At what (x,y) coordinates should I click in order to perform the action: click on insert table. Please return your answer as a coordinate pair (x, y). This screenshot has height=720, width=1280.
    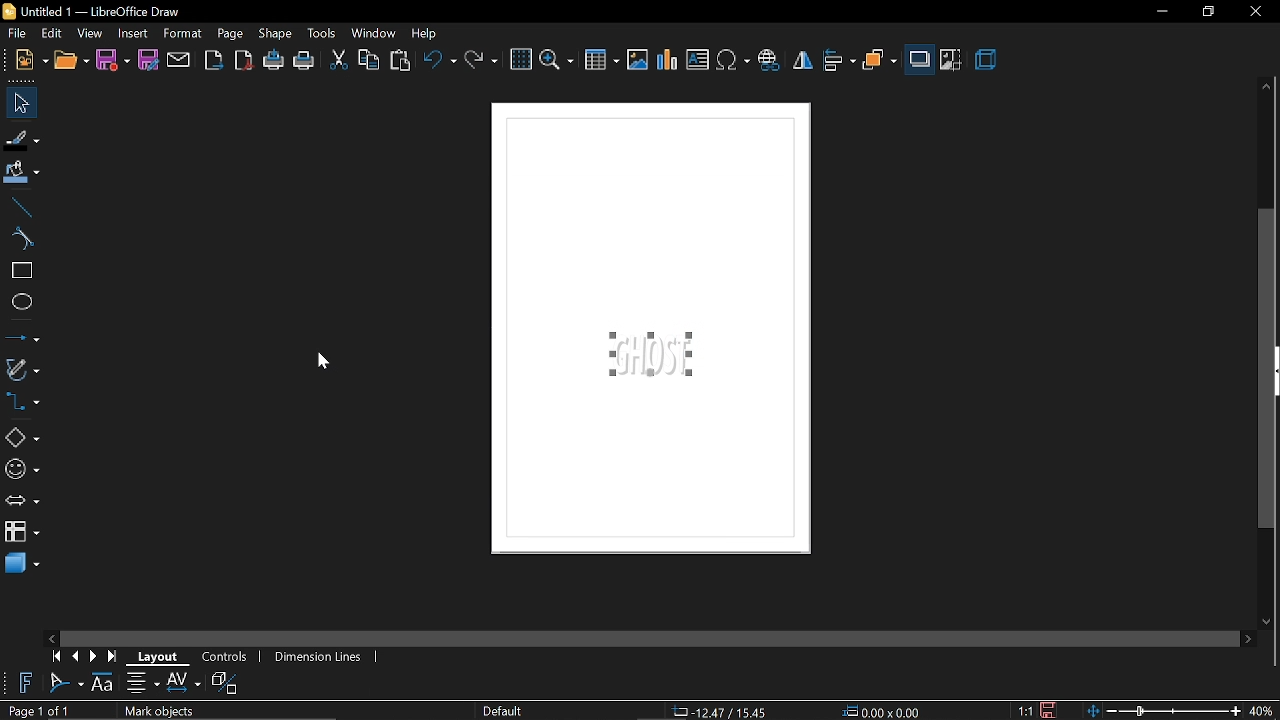
    Looking at the image, I should click on (601, 61).